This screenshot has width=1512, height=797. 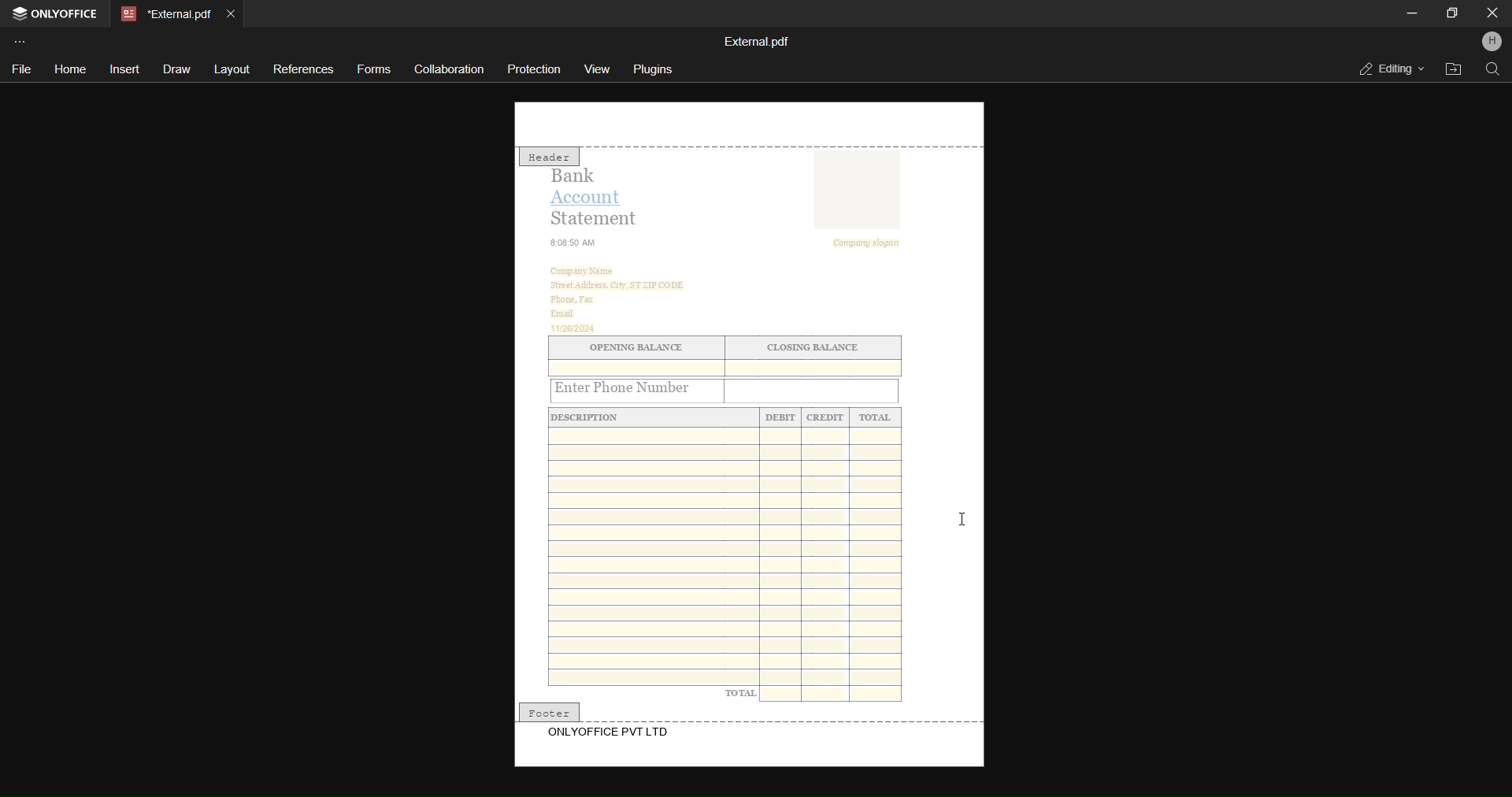 What do you see at coordinates (19, 71) in the screenshot?
I see `file` at bounding box center [19, 71].